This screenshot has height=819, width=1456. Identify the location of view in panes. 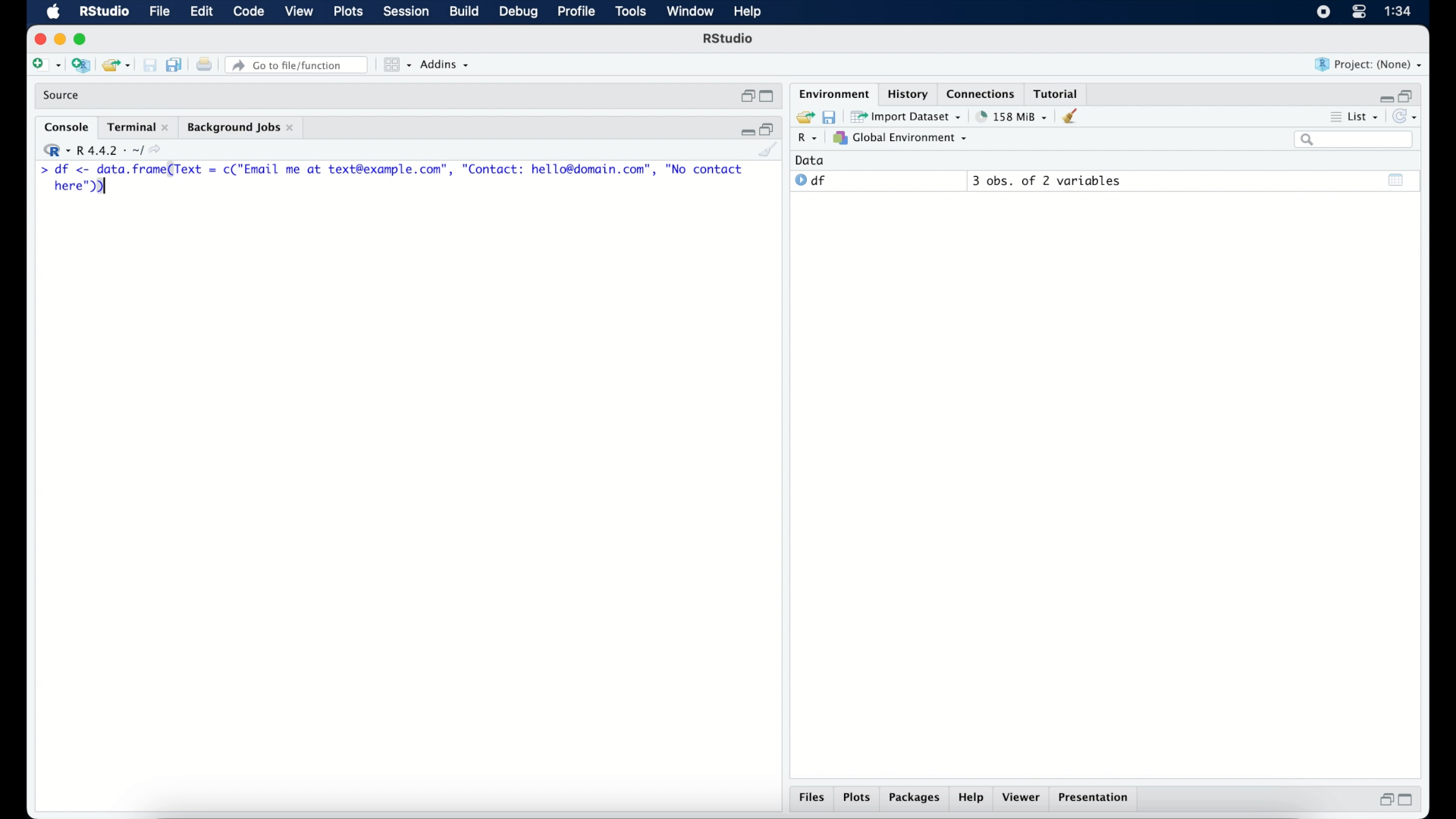
(396, 65).